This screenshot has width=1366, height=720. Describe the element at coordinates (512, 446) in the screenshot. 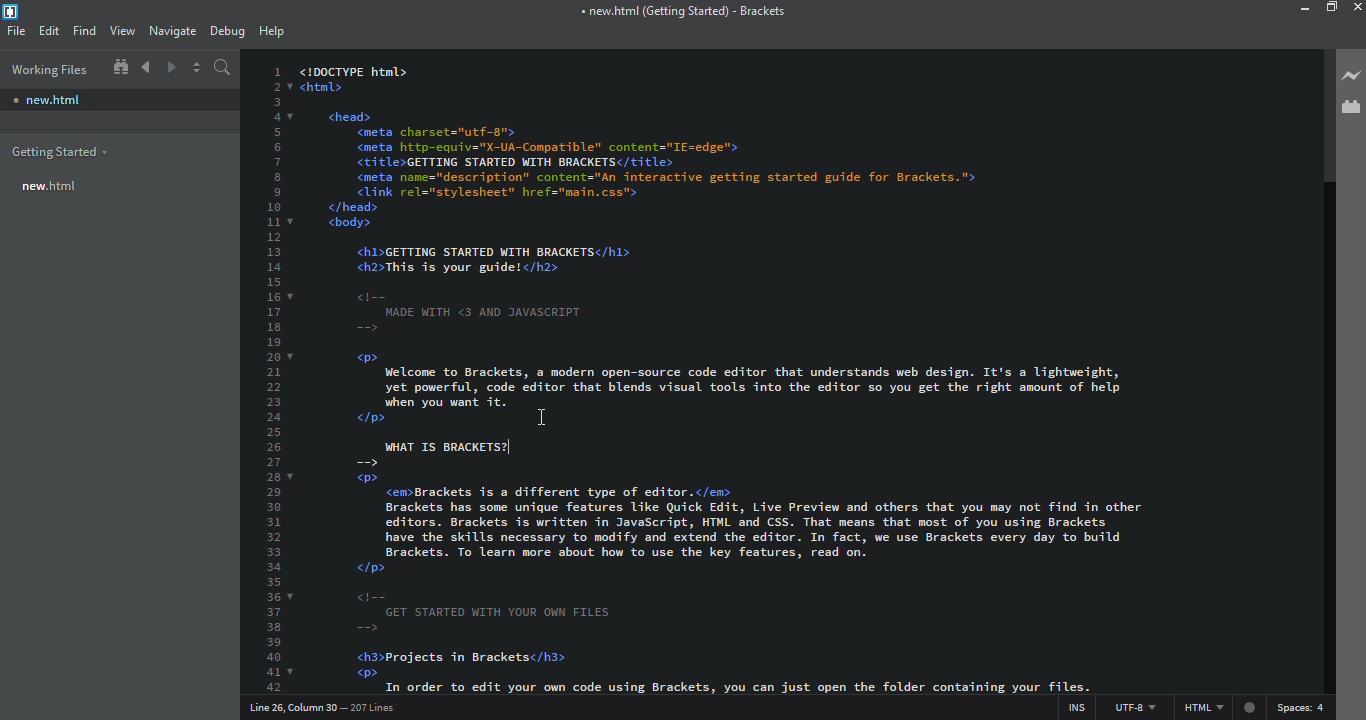

I see `cursor` at that location.